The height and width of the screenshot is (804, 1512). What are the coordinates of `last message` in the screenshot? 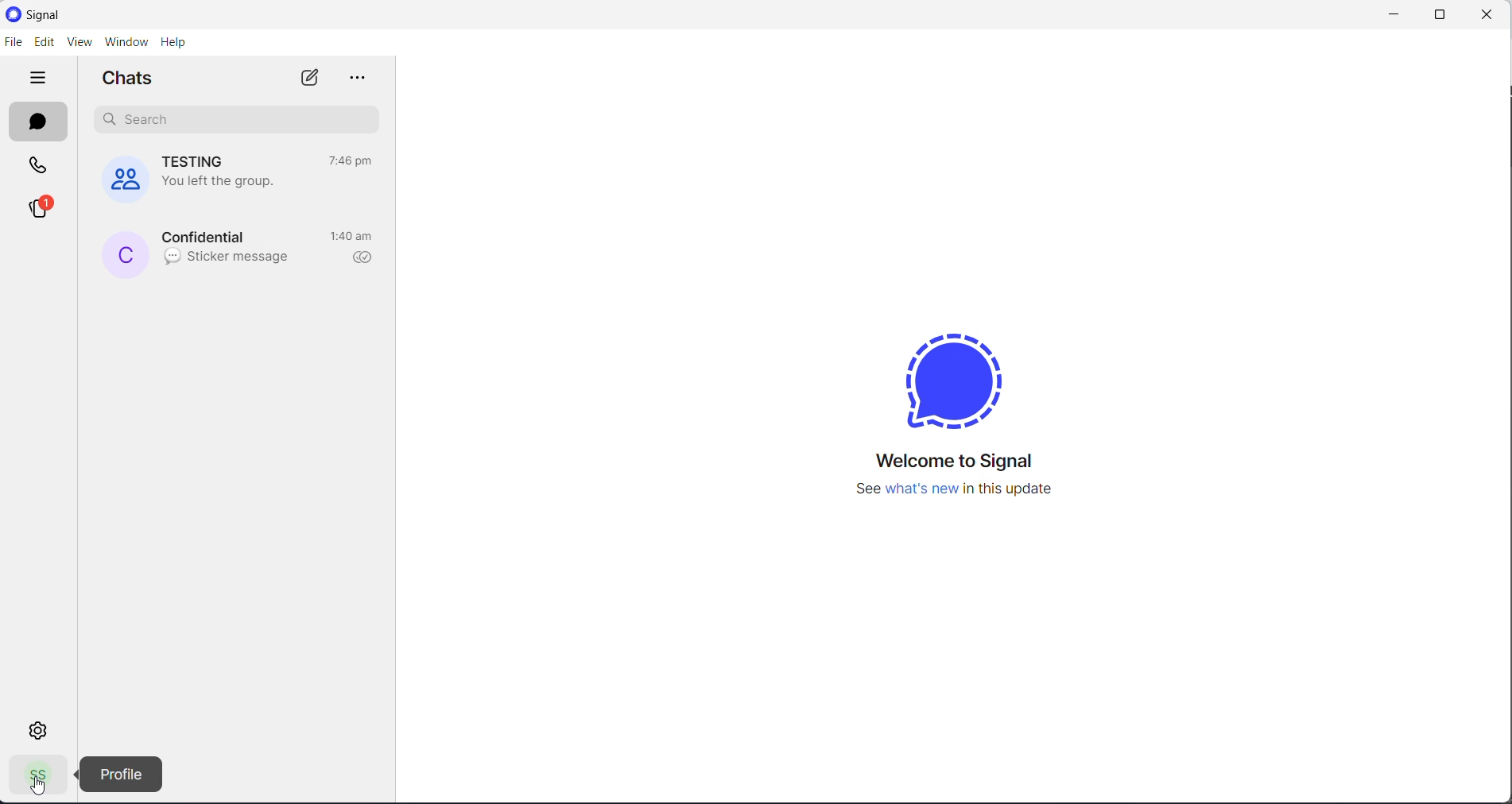 It's located at (228, 258).